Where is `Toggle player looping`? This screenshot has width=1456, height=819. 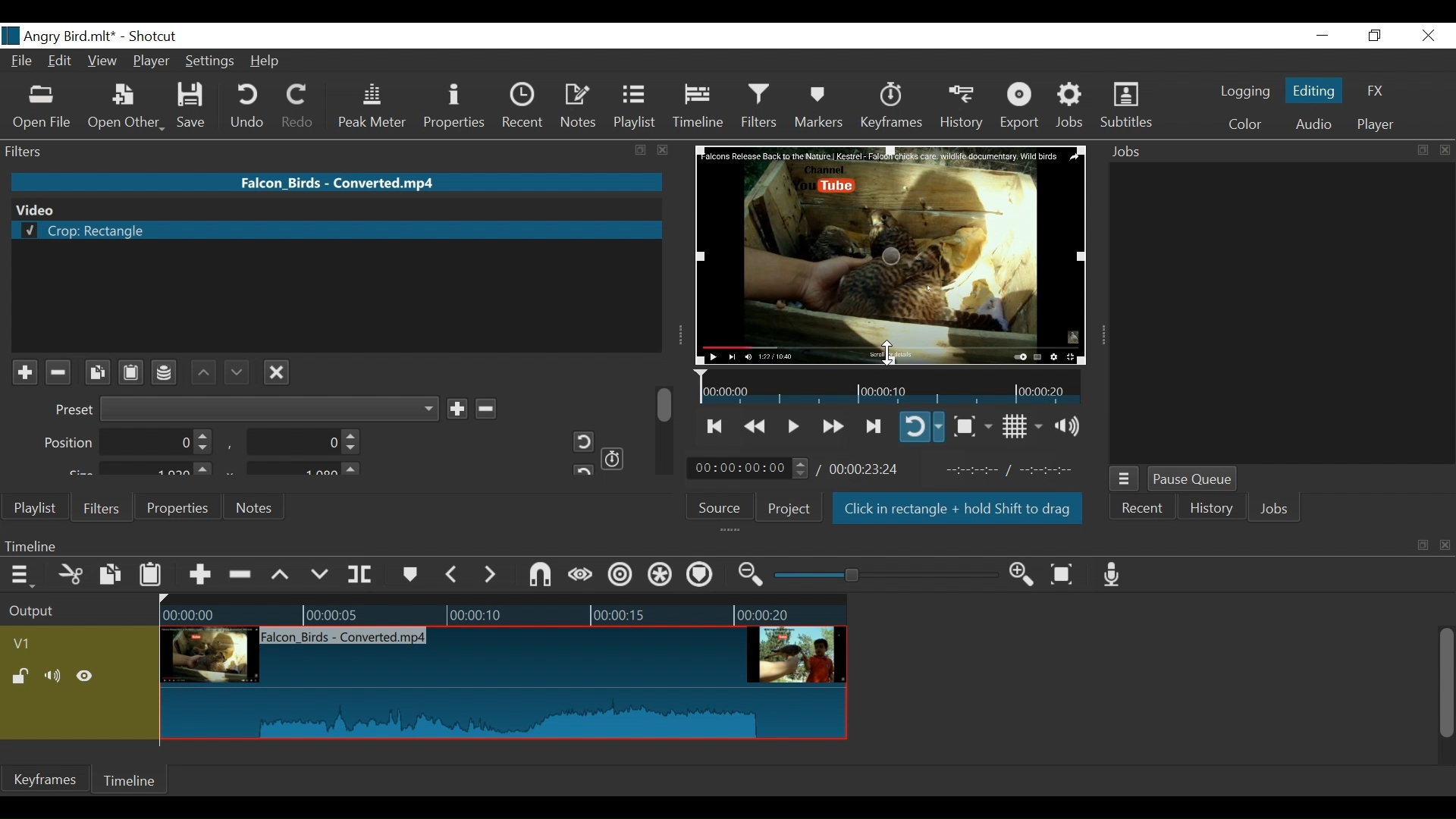 Toggle player looping is located at coordinates (921, 426).